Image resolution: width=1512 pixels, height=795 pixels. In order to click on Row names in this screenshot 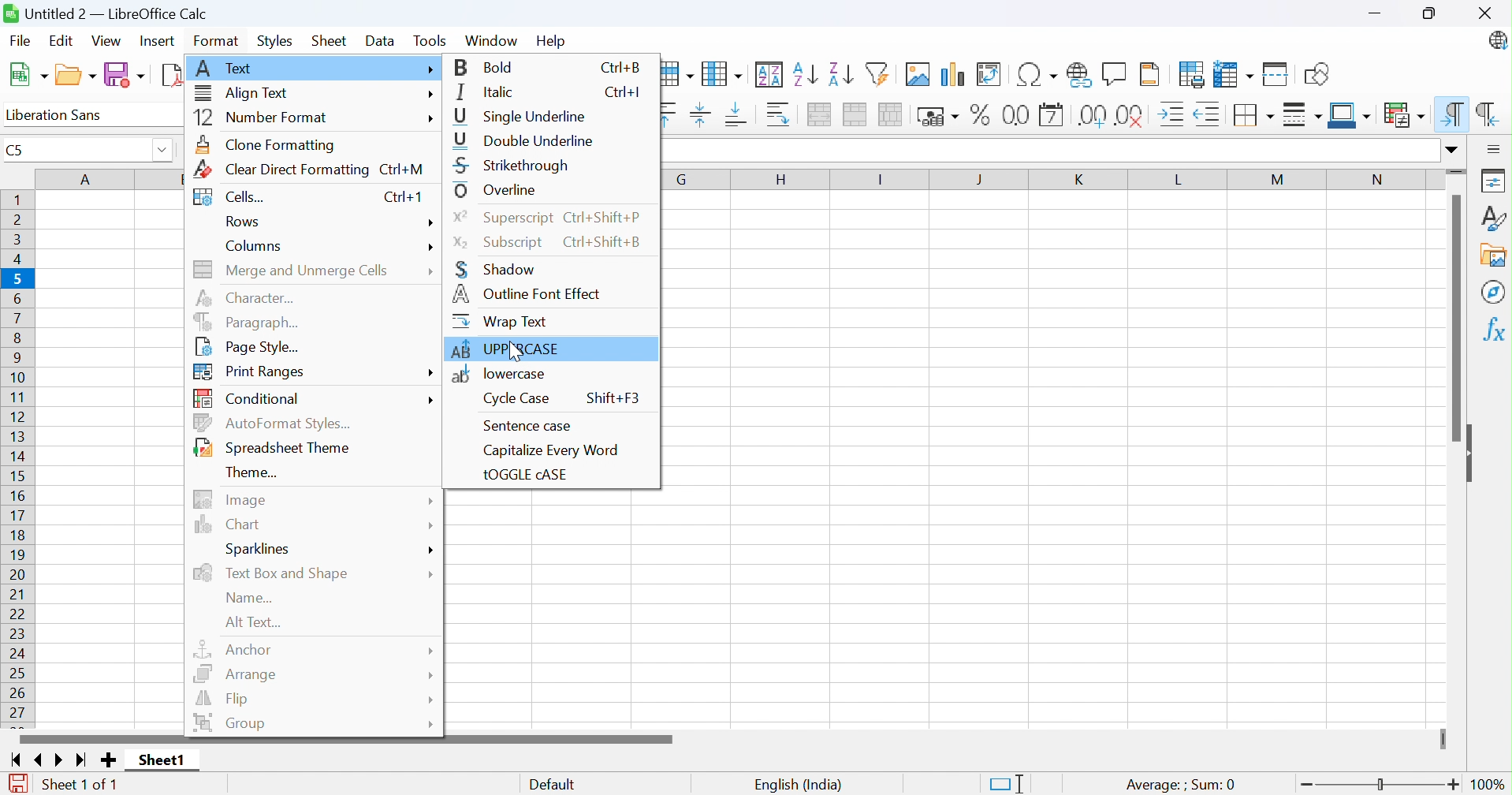, I will do `click(17, 461)`.